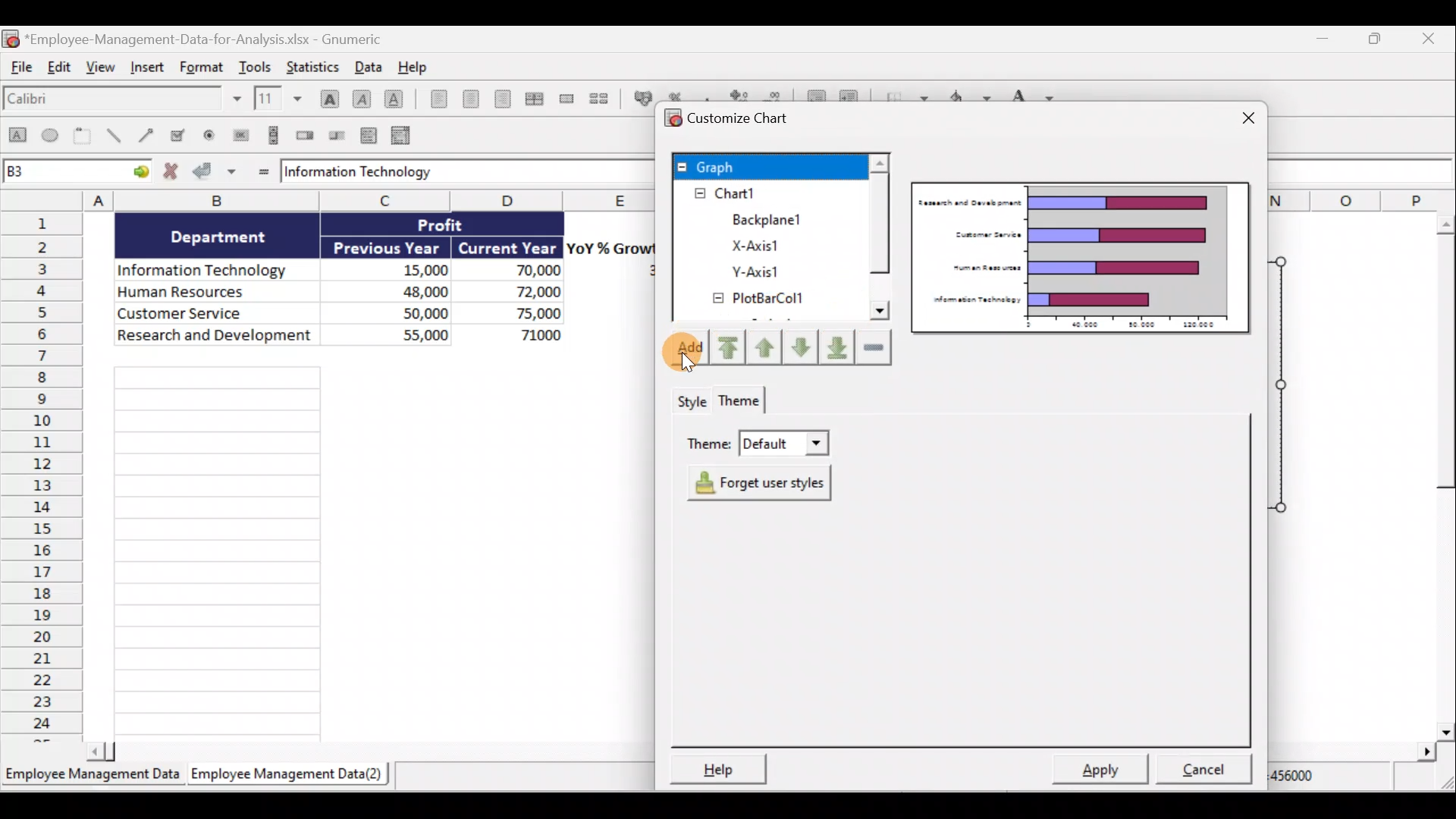 The height and width of the screenshot is (819, 1456). What do you see at coordinates (275, 134) in the screenshot?
I see `Create a scrollbar` at bounding box center [275, 134].